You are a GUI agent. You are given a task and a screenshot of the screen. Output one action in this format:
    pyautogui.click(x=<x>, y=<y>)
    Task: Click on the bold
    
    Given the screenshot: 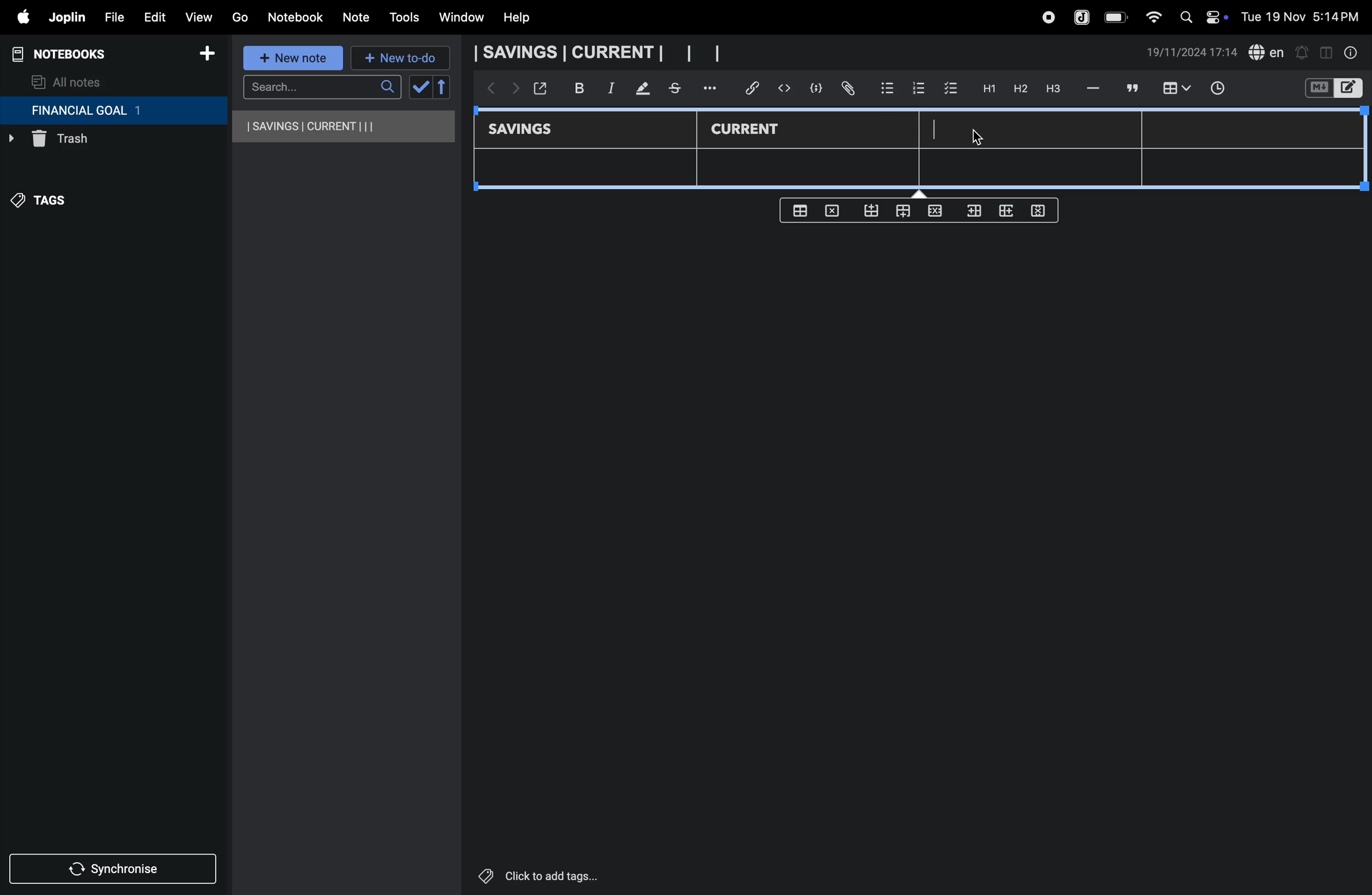 What is the action you would take?
    pyautogui.click(x=573, y=88)
    